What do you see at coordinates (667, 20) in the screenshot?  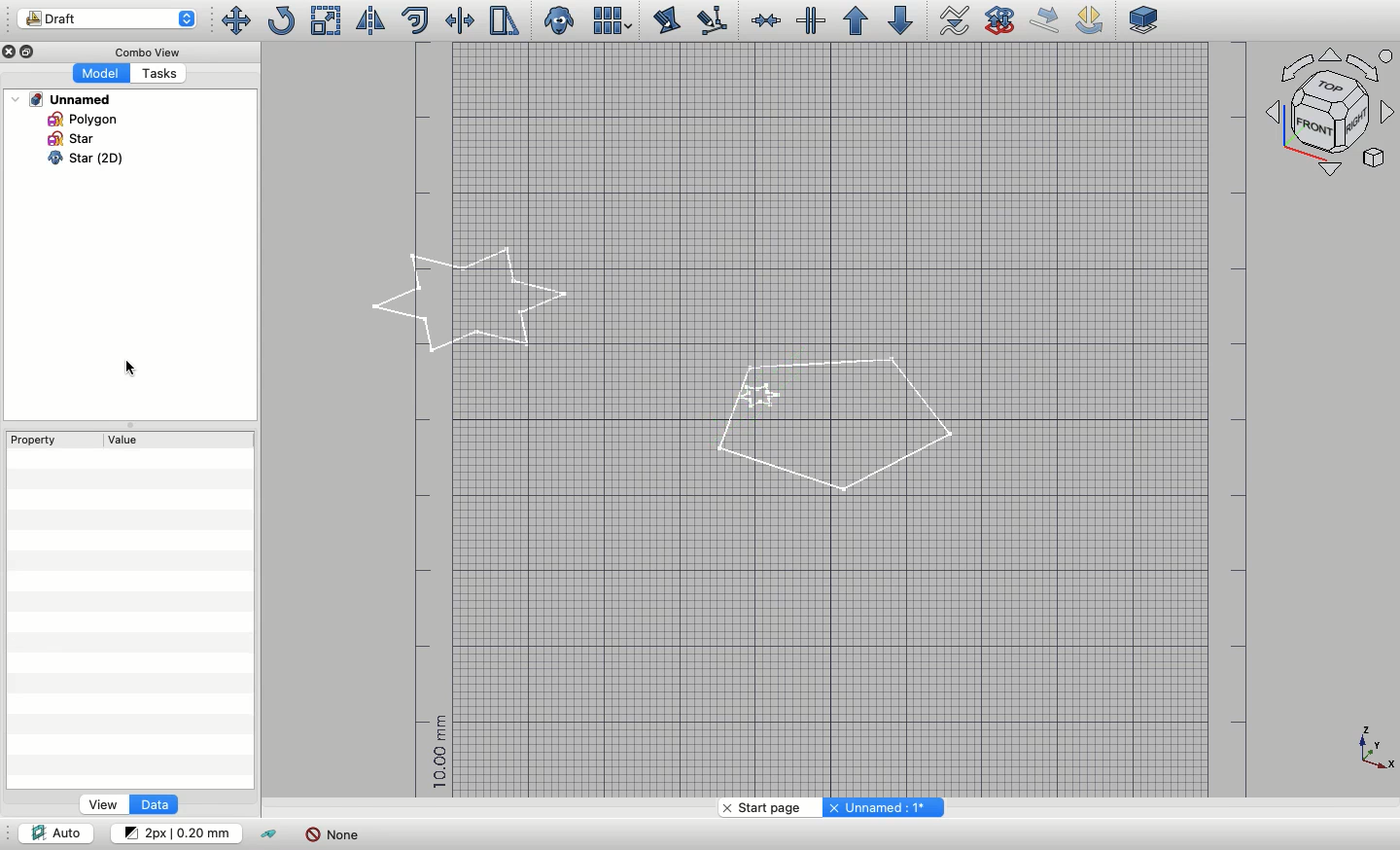 I see `Edit` at bounding box center [667, 20].